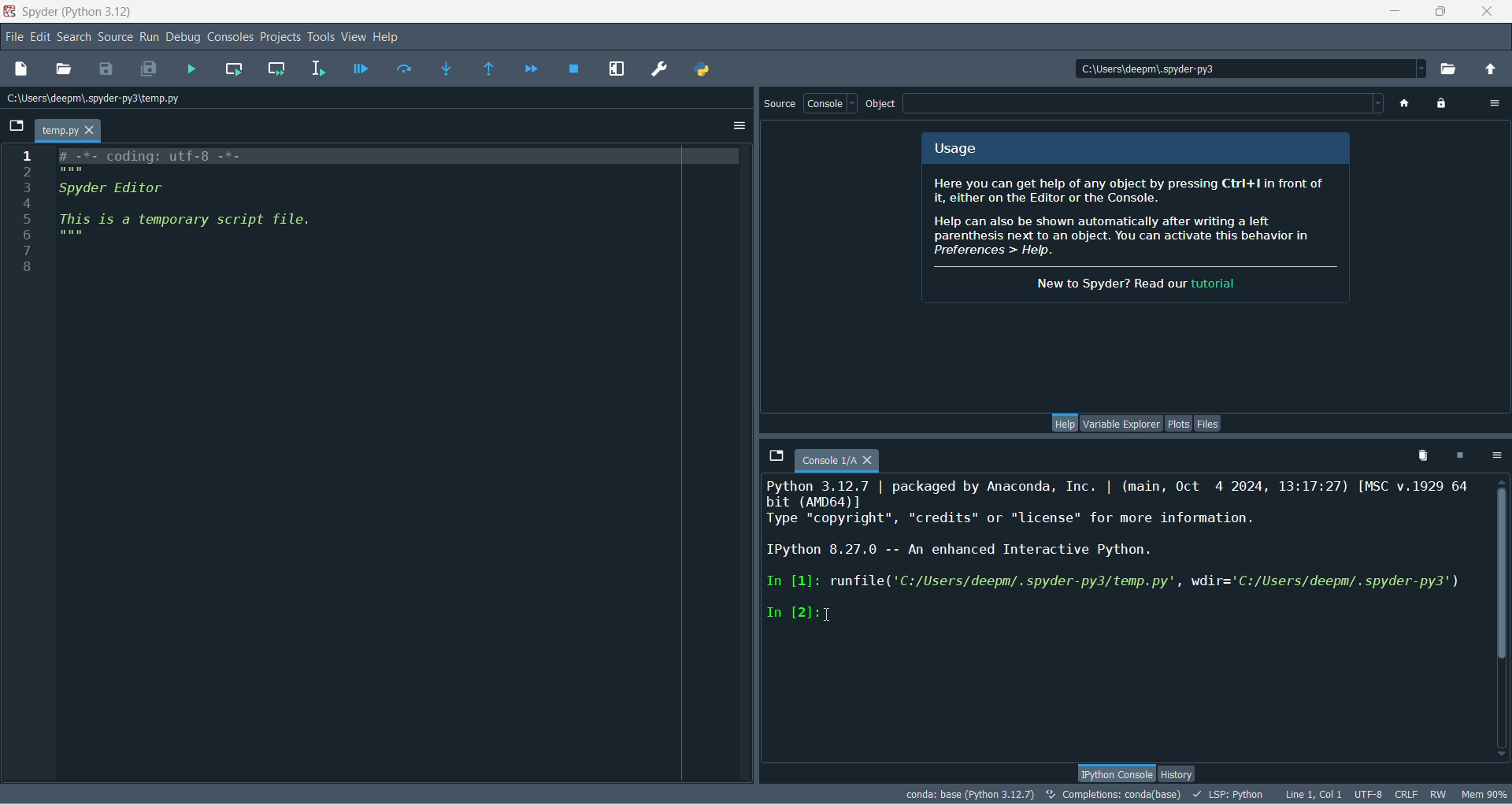 The image size is (1512, 805). I want to click on continue execution until next breakpoint, so click(531, 69).